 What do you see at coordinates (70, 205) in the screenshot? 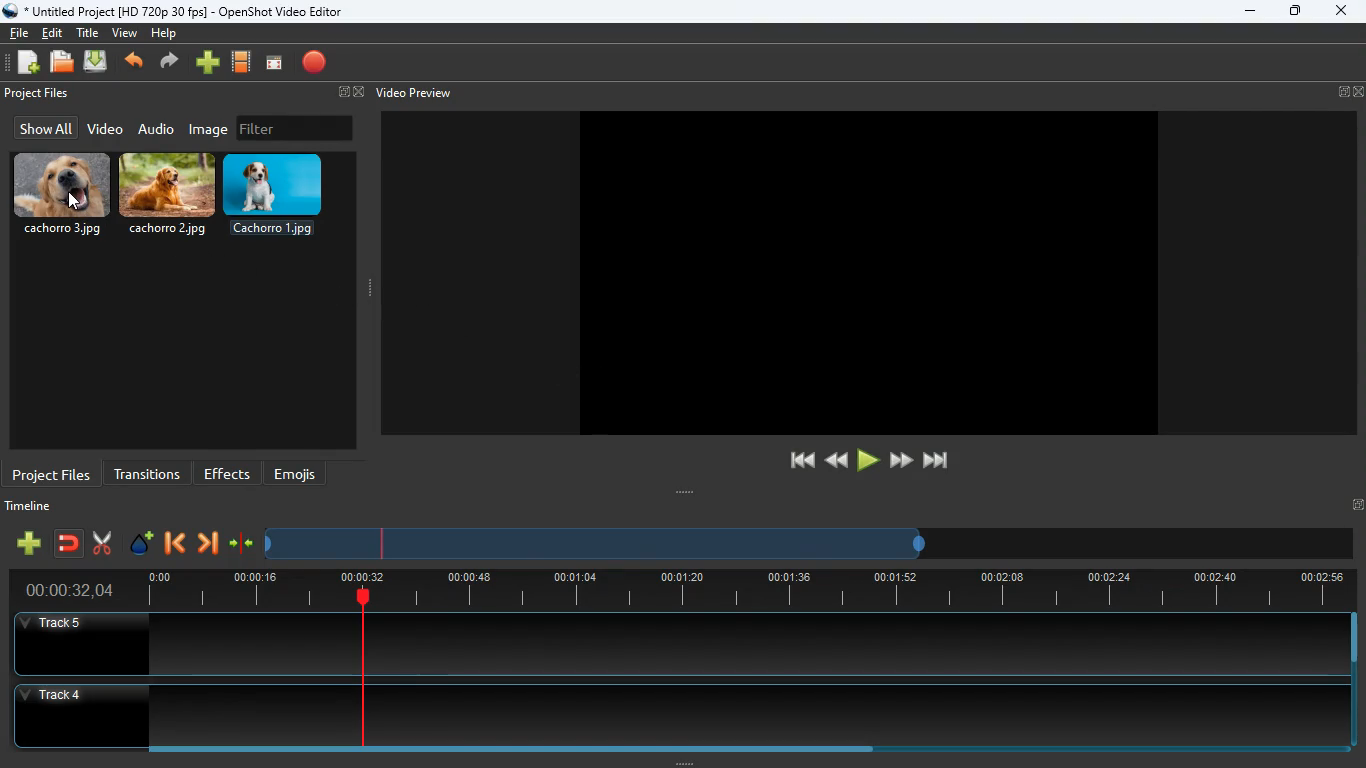
I see `cursor` at bounding box center [70, 205].